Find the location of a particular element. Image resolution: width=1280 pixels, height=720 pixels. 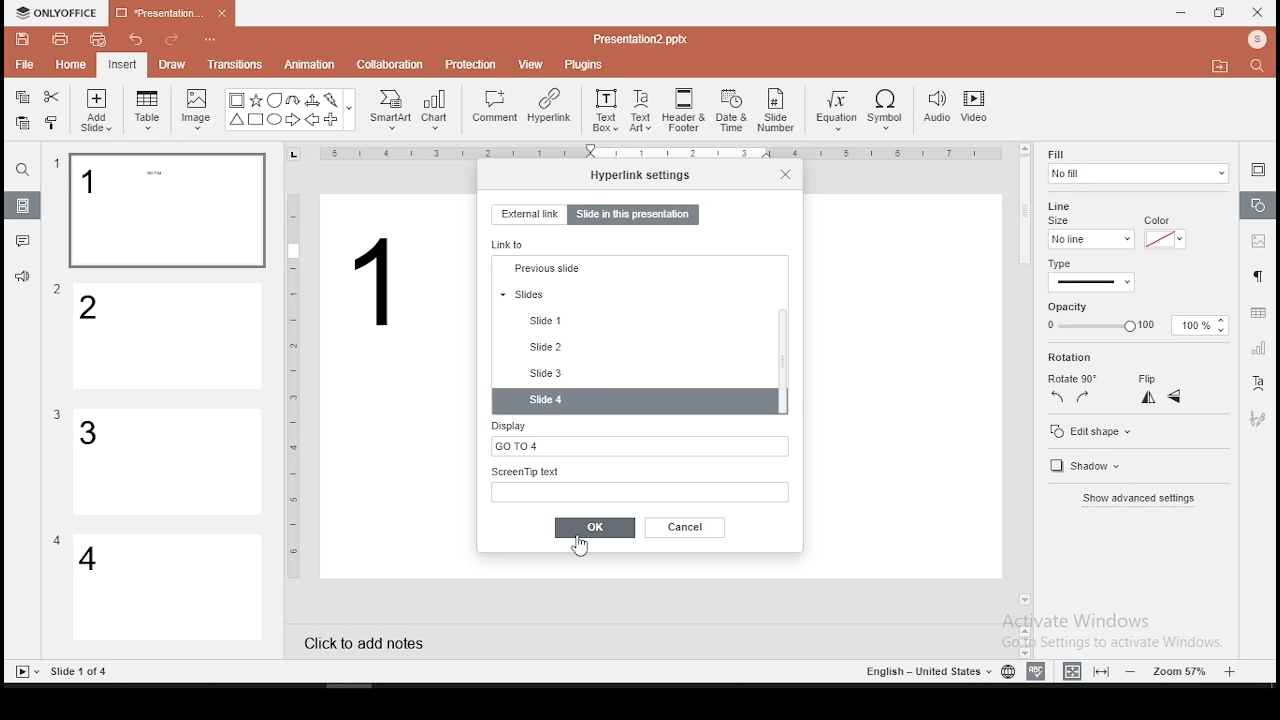

link to is located at coordinates (511, 244).